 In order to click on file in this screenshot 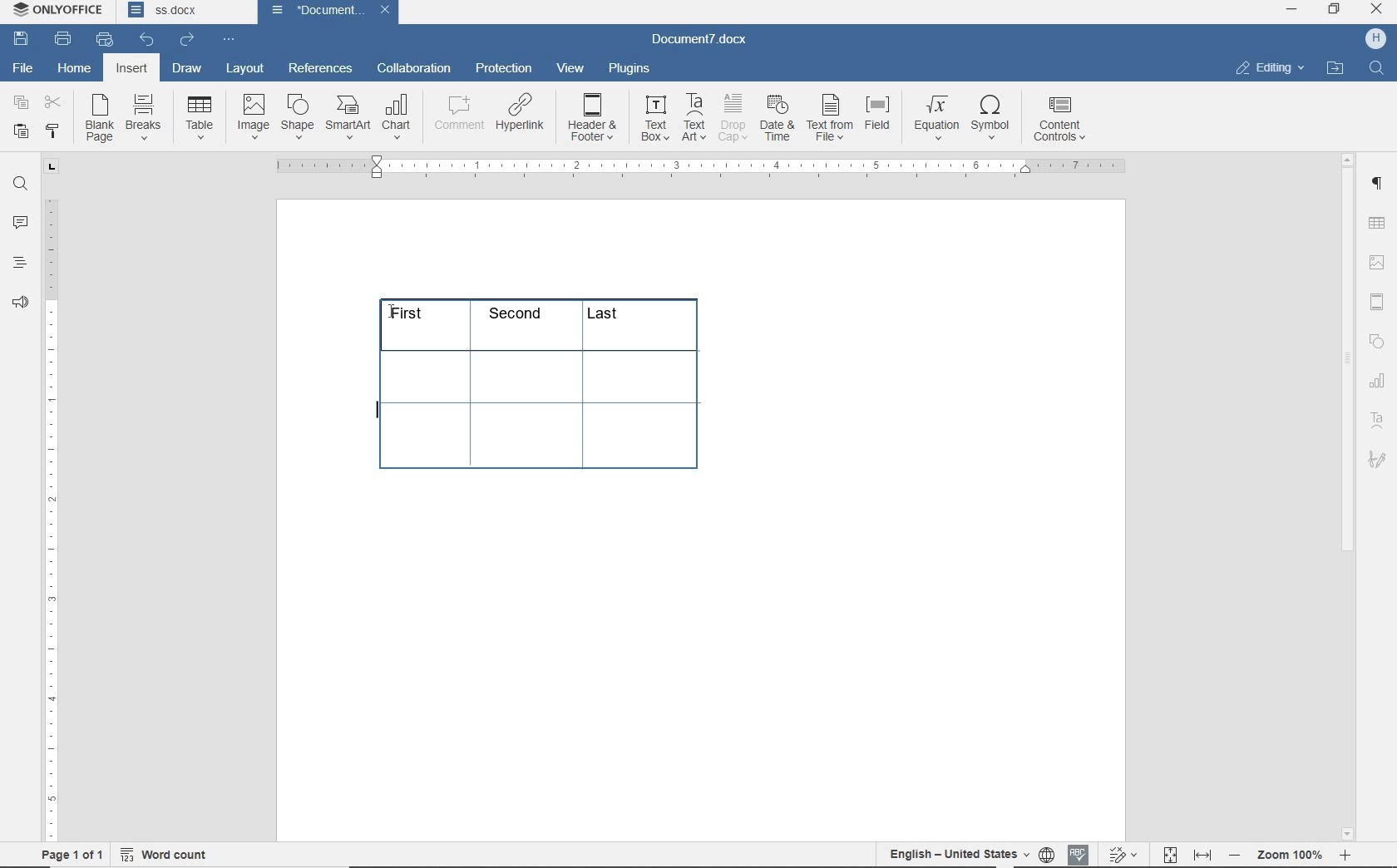, I will do `click(22, 67)`.